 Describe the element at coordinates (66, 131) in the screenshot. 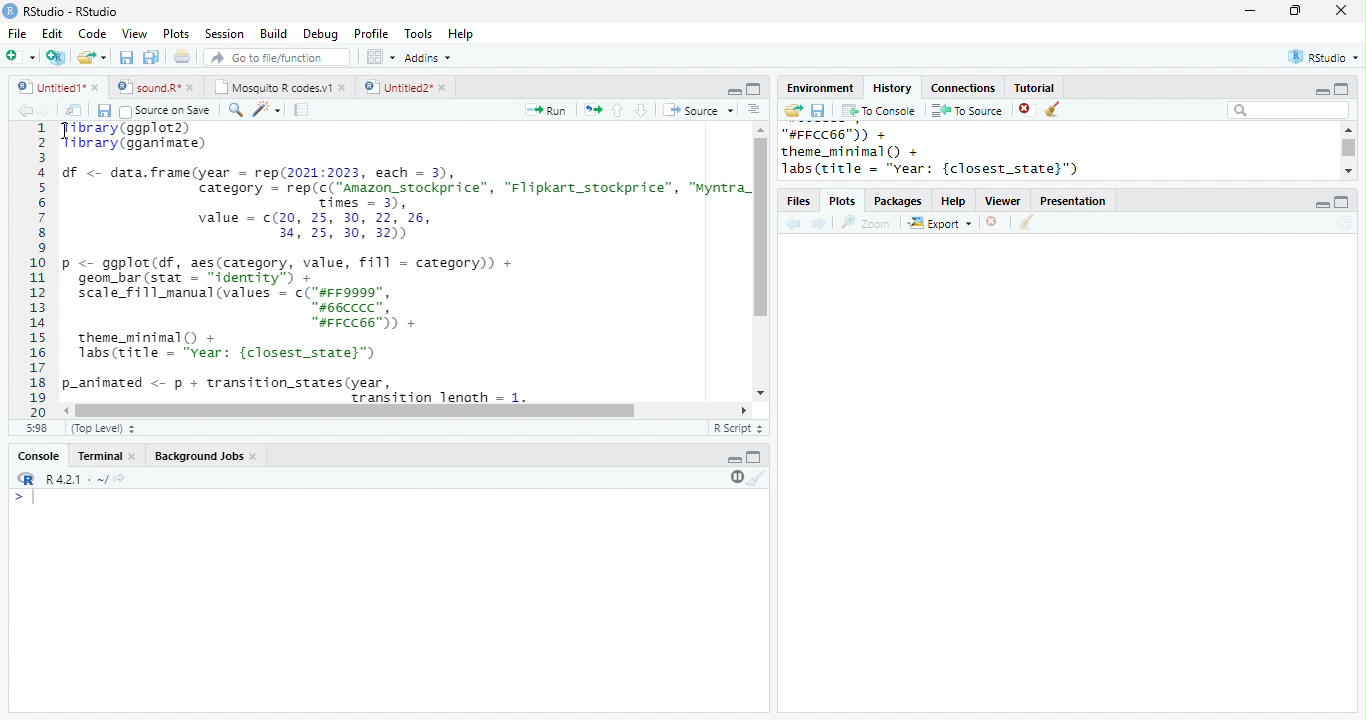

I see `cursor` at that location.